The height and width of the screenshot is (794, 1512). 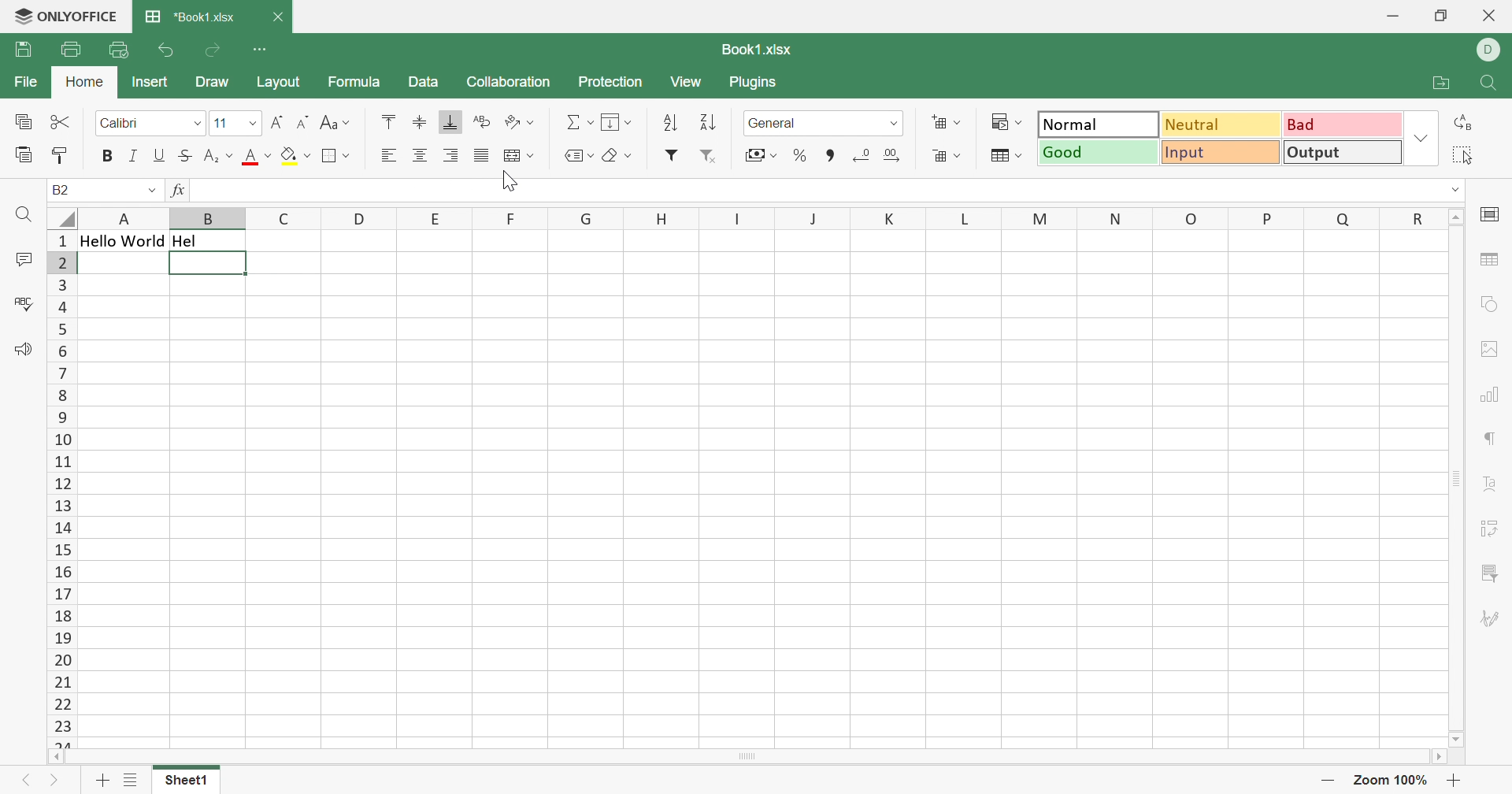 I want to click on Quick print, so click(x=118, y=50).